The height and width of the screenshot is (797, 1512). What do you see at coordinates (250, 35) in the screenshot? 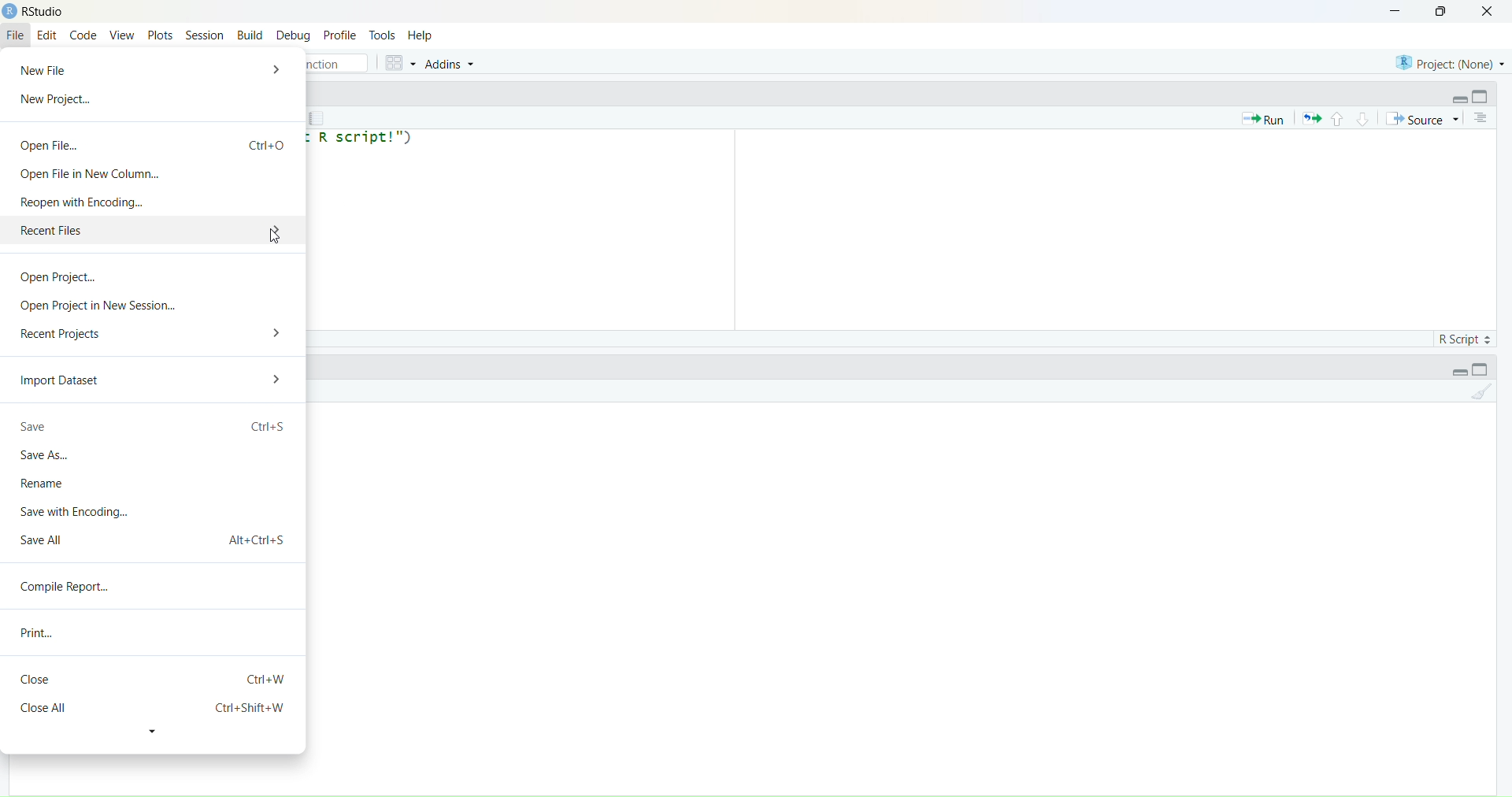
I see `Build` at bounding box center [250, 35].